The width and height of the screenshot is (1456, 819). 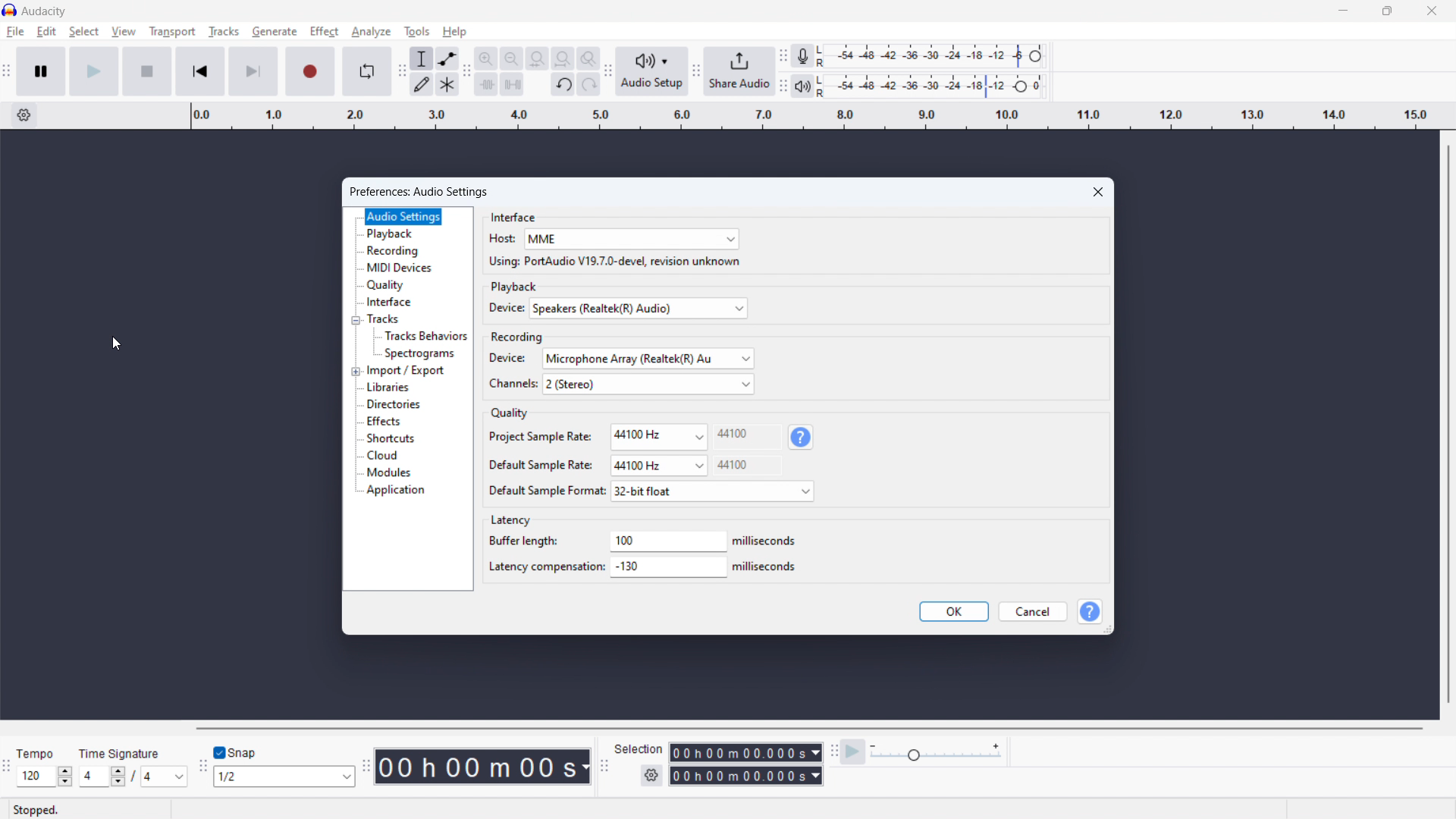 I want to click on playback level, so click(x=935, y=85).